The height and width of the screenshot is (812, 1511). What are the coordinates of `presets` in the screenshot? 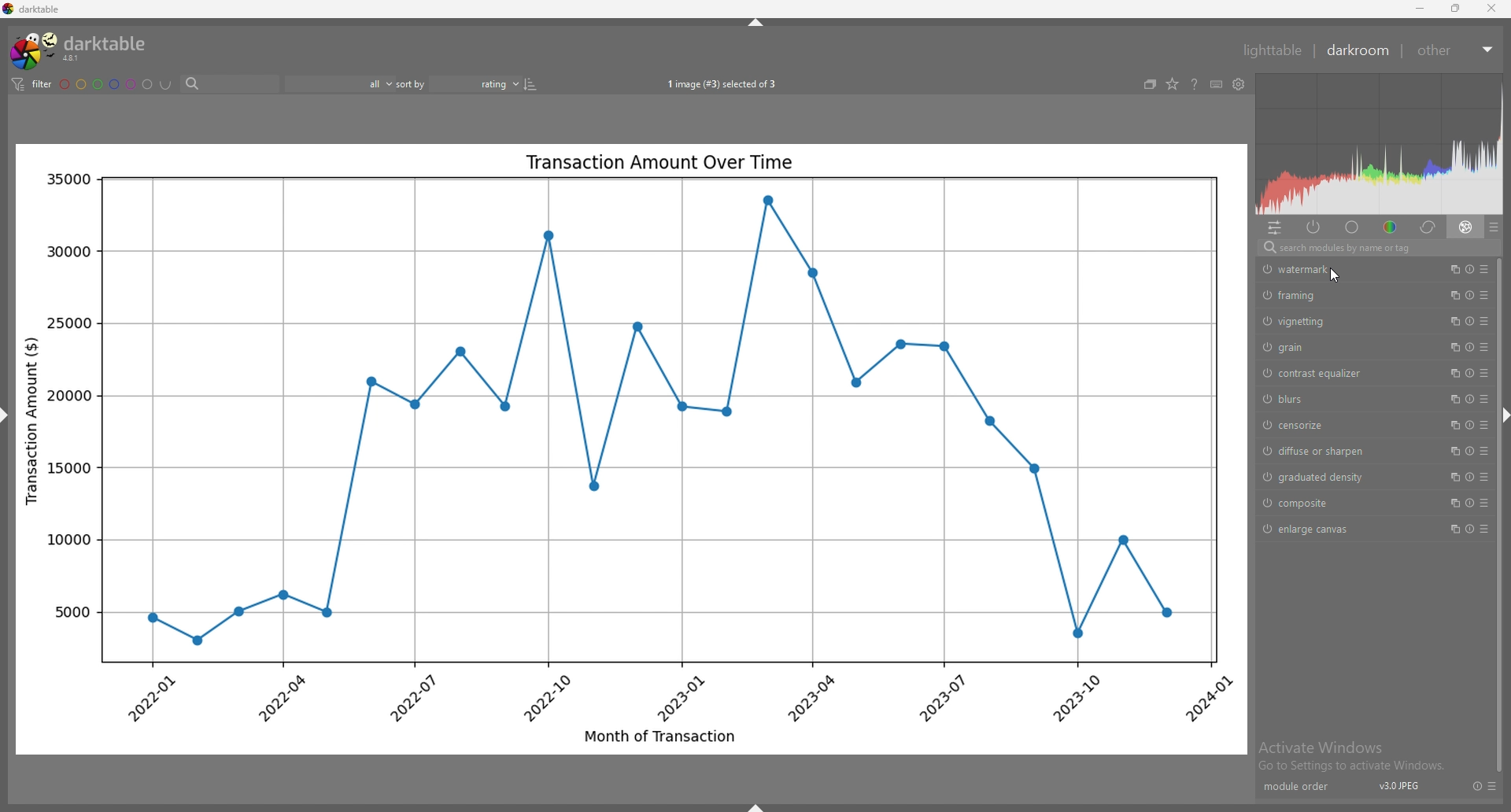 It's located at (1484, 295).